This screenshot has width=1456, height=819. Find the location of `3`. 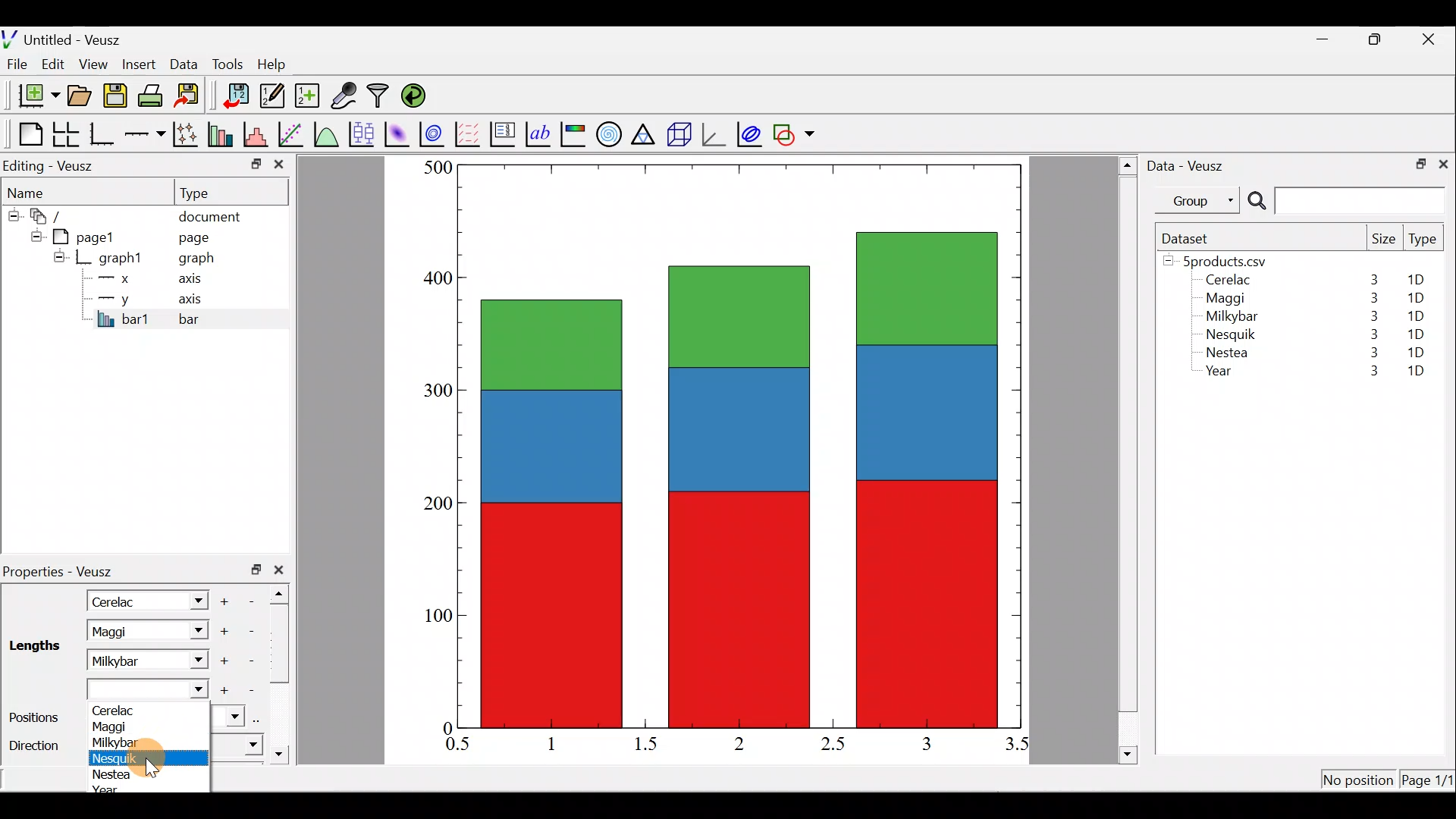

3 is located at coordinates (1370, 355).